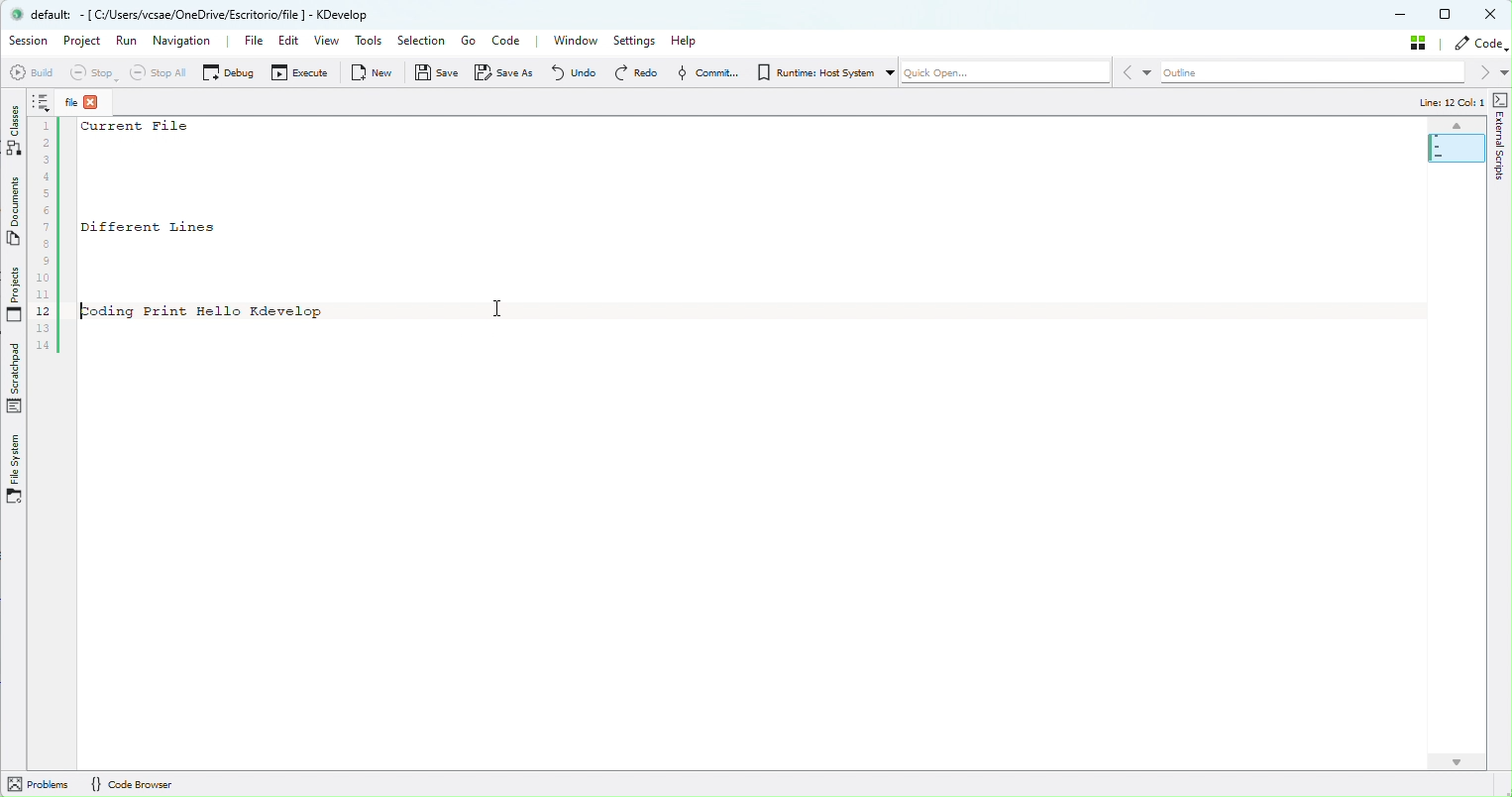  What do you see at coordinates (578, 41) in the screenshot?
I see `Window` at bounding box center [578, 41].